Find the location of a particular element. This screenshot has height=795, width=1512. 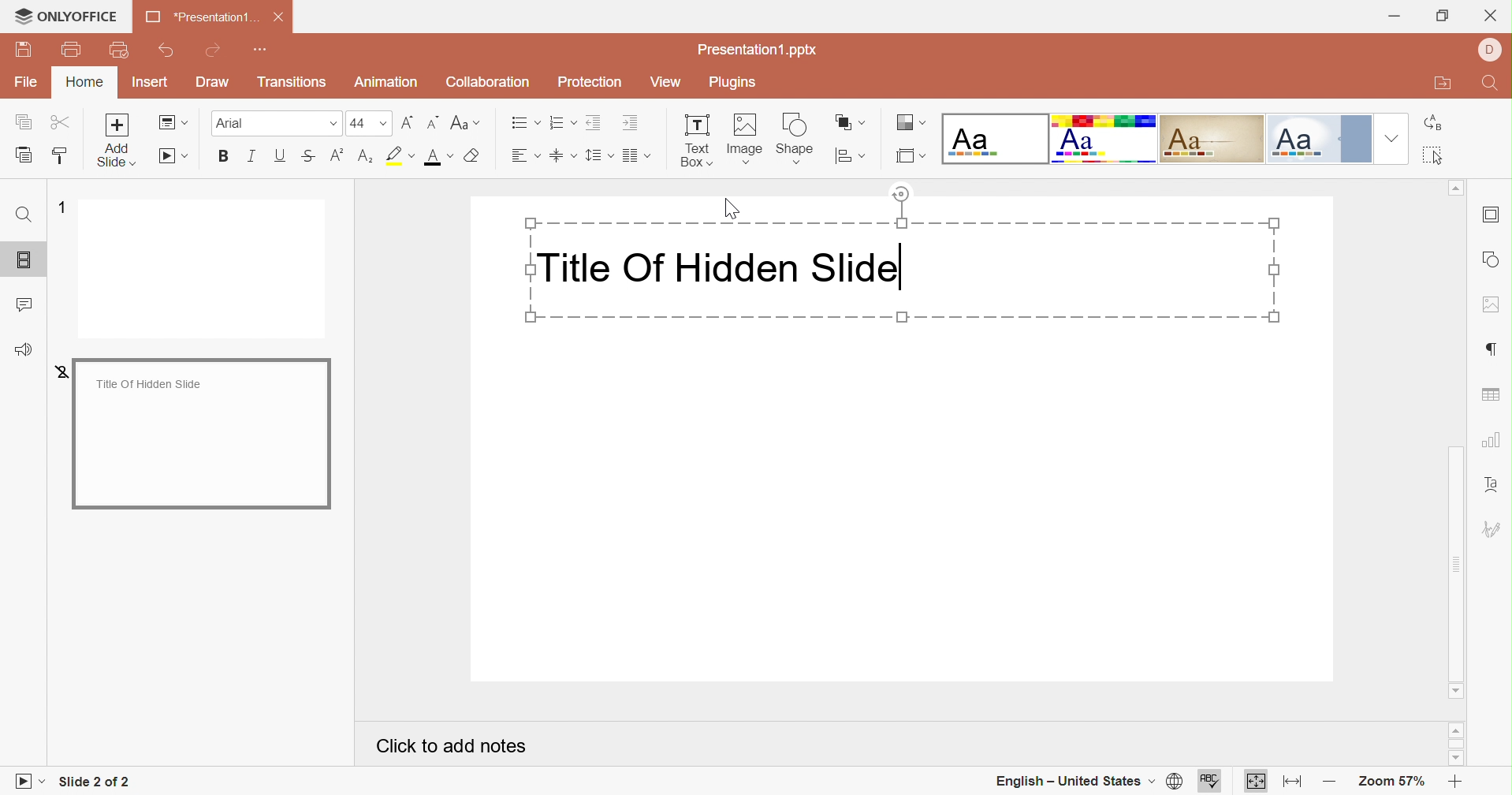

Shape is located at coordinates (797, 140).